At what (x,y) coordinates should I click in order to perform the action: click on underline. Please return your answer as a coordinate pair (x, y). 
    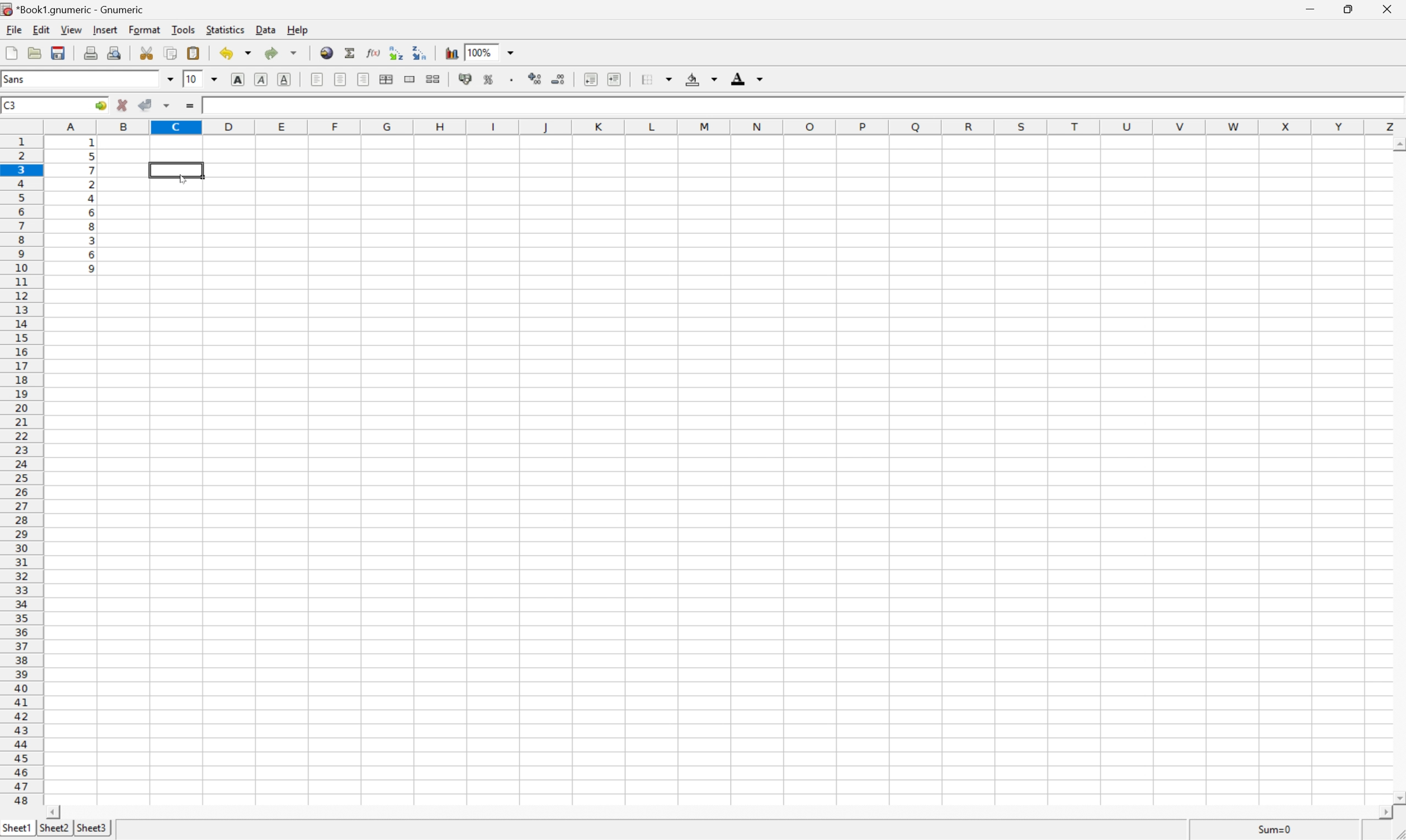
    Looking at the image, I should click on (284, 79).